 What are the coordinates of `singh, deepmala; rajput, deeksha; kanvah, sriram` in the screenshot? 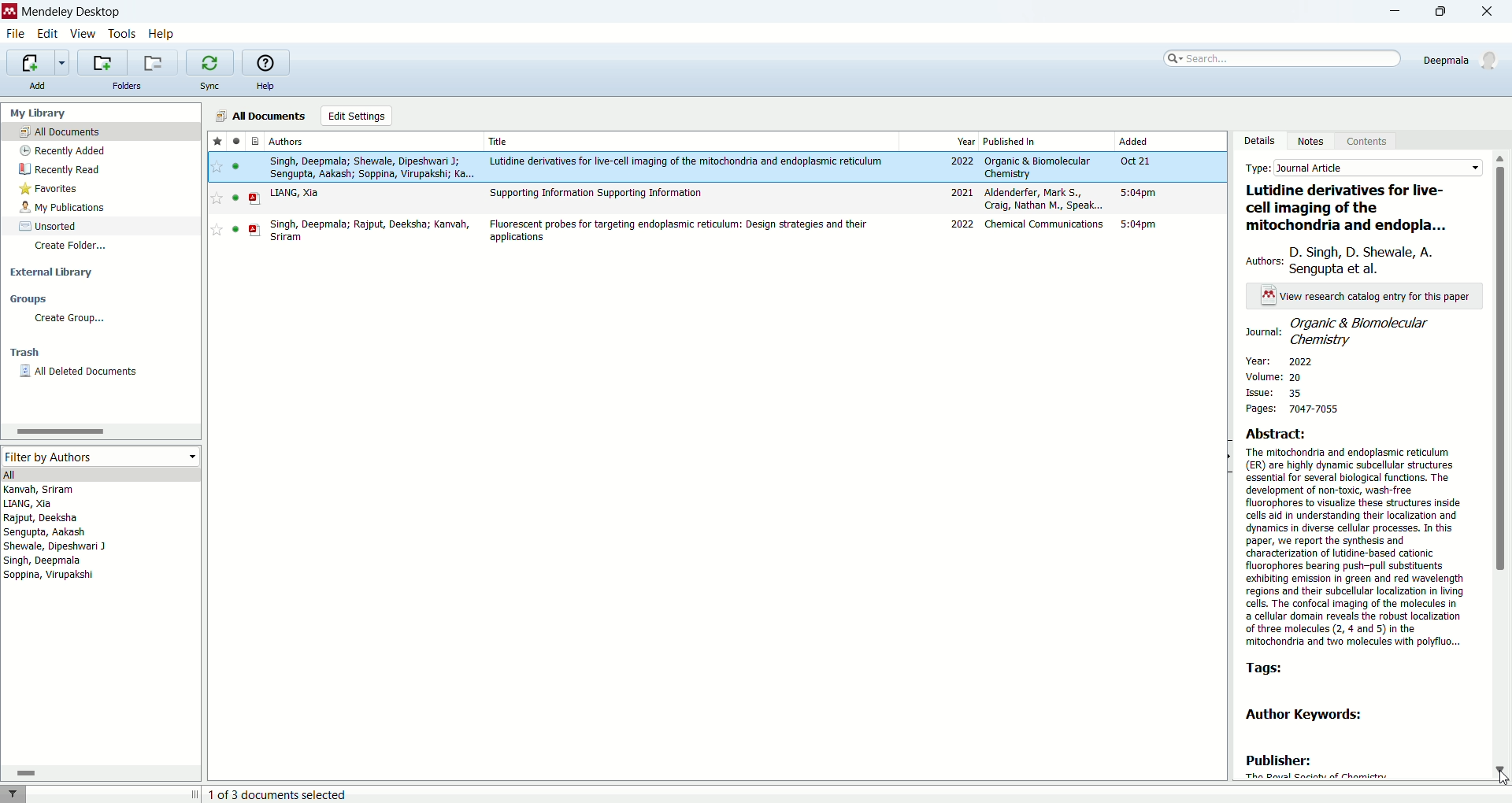 It's located at (371, 231).